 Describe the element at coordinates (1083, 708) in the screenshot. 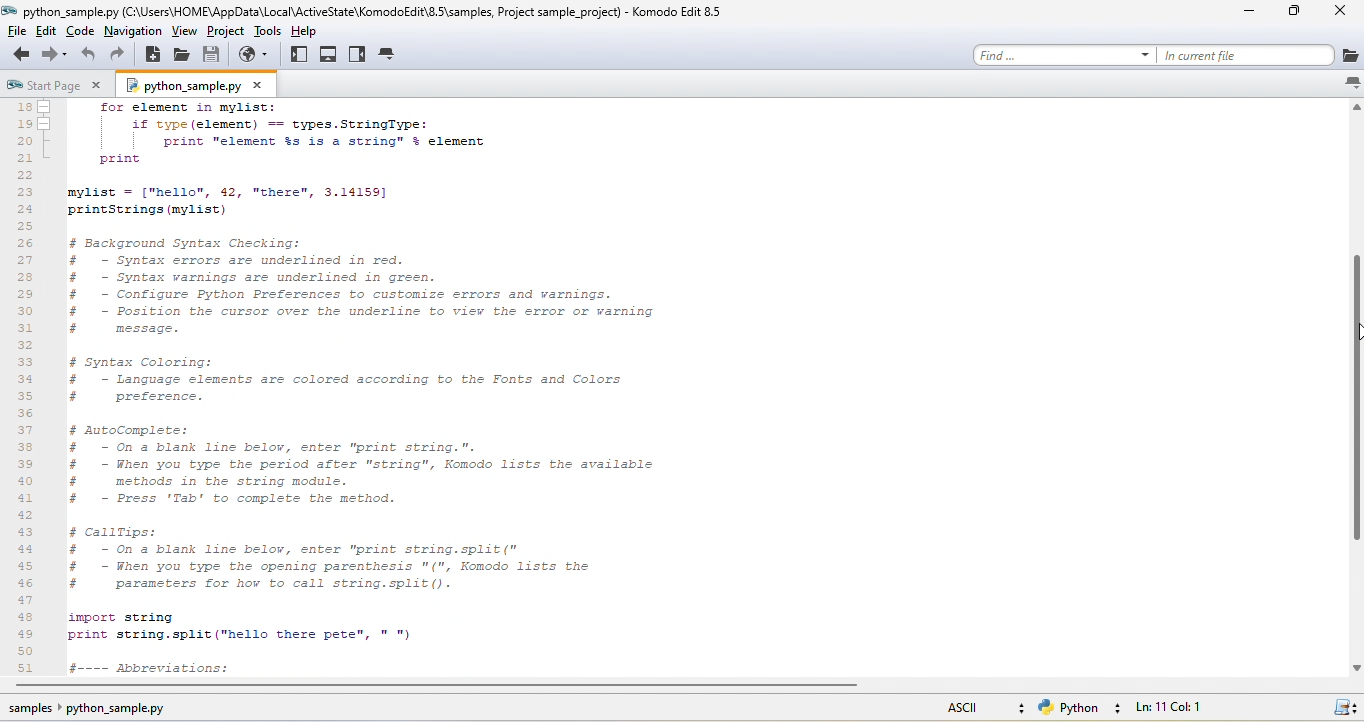

I see `python` at that location.